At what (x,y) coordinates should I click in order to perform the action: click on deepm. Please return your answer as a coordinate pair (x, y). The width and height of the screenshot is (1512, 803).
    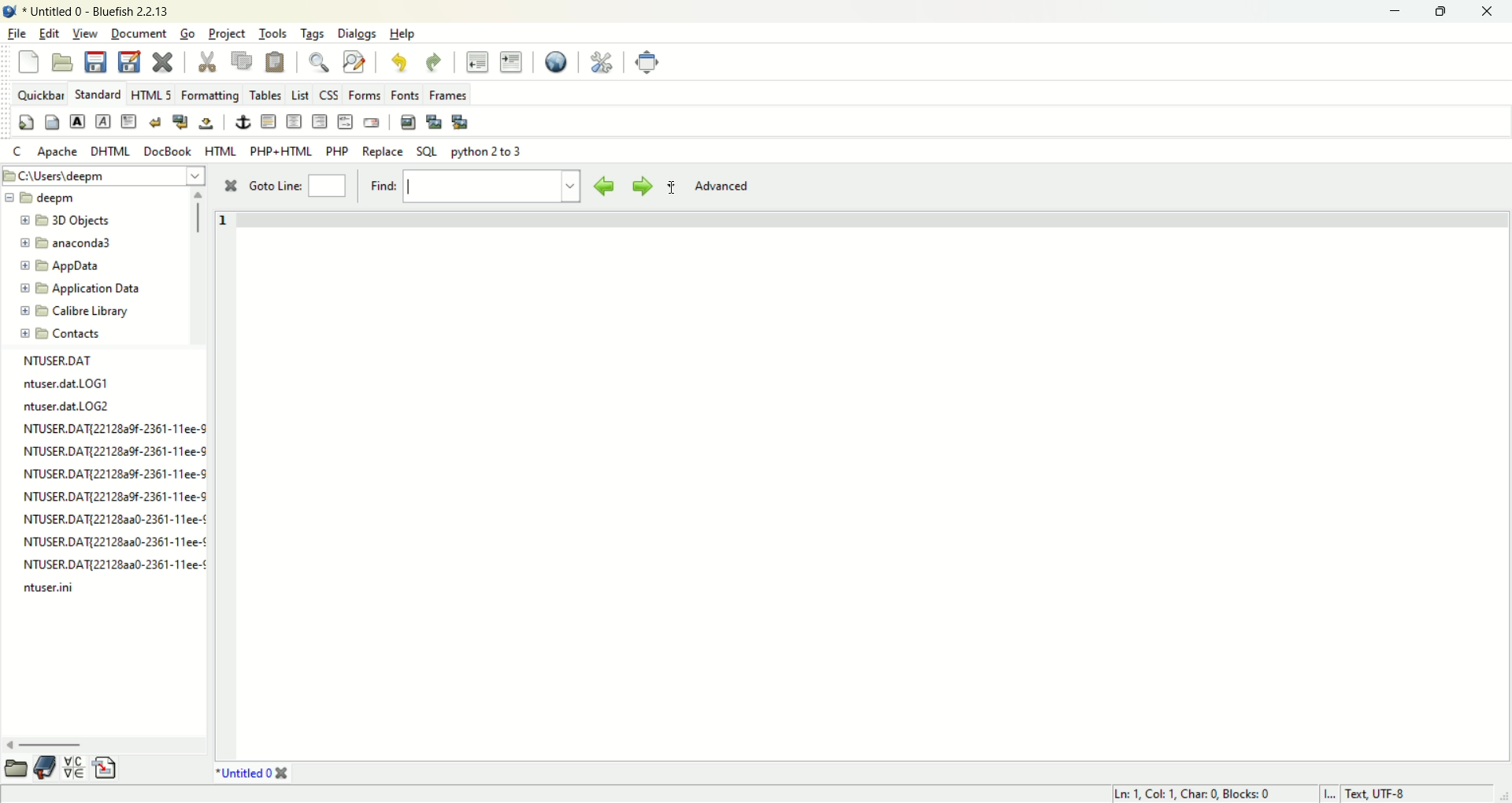
    Looking at the image, I should click on (55, 200).